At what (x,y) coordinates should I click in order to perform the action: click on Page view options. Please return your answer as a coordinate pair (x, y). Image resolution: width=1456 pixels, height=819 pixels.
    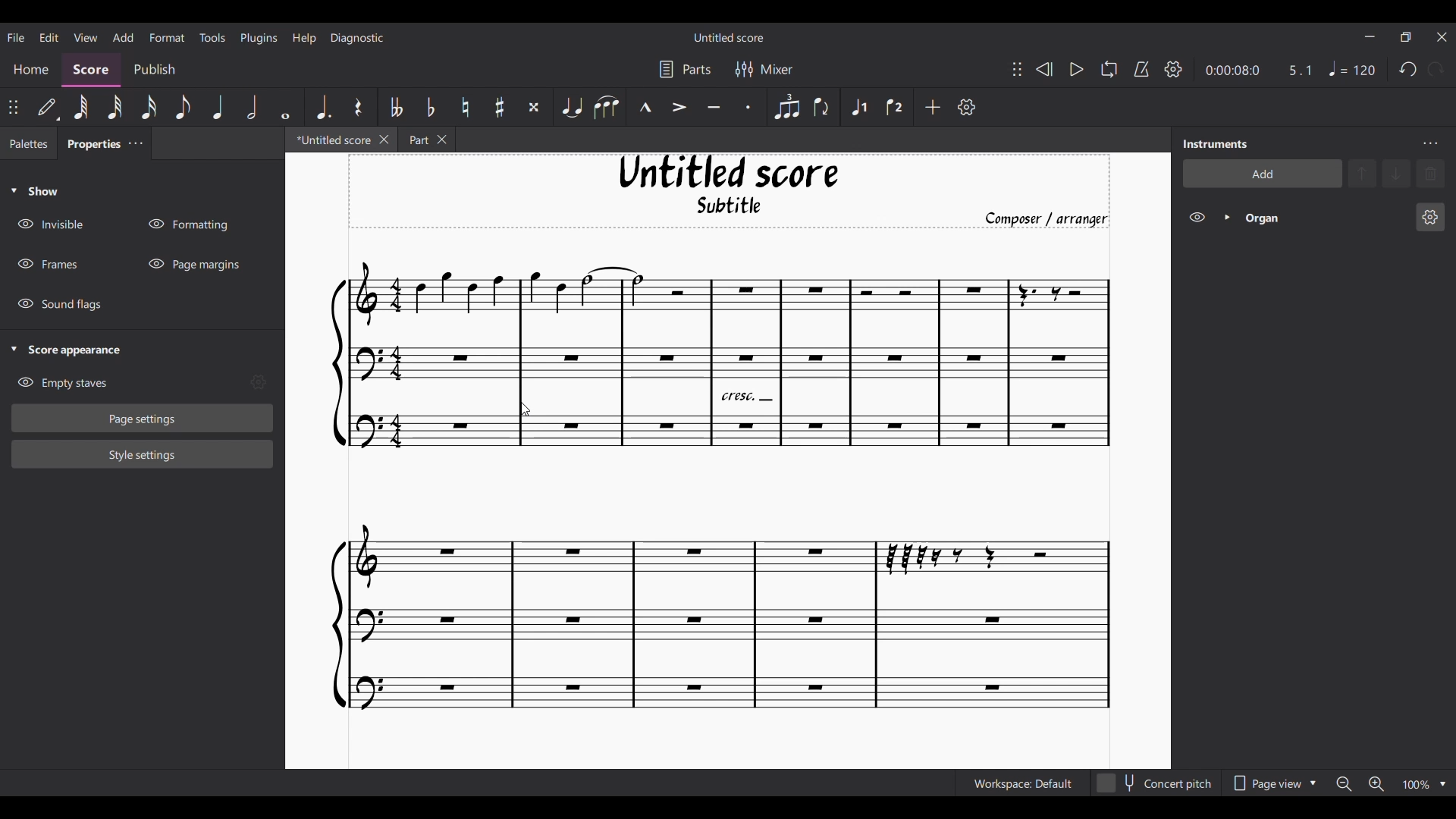
    Looking at the image, I should click on (1271, 783).